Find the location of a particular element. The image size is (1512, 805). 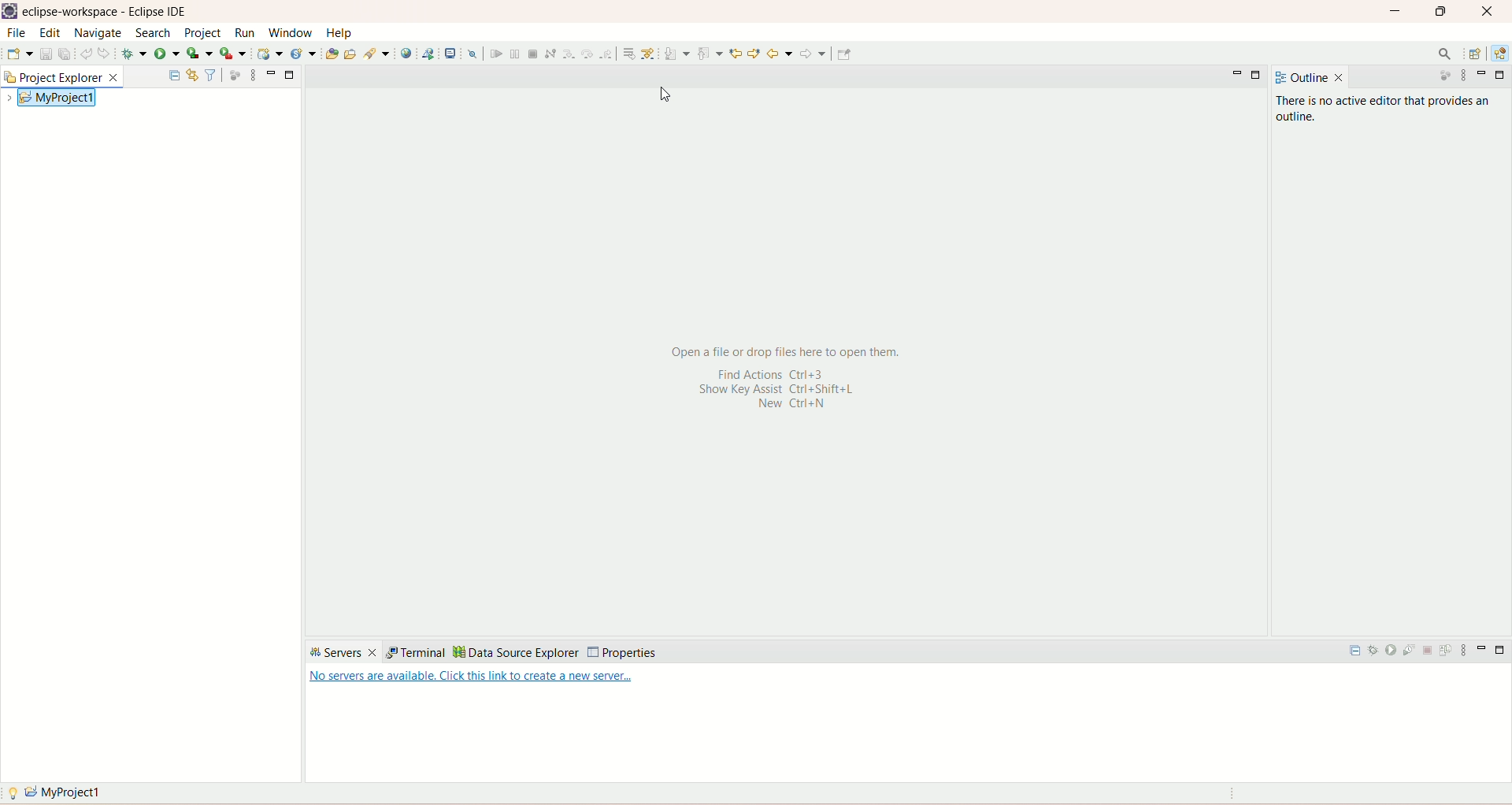

save all is located at coordinates (65, 55).